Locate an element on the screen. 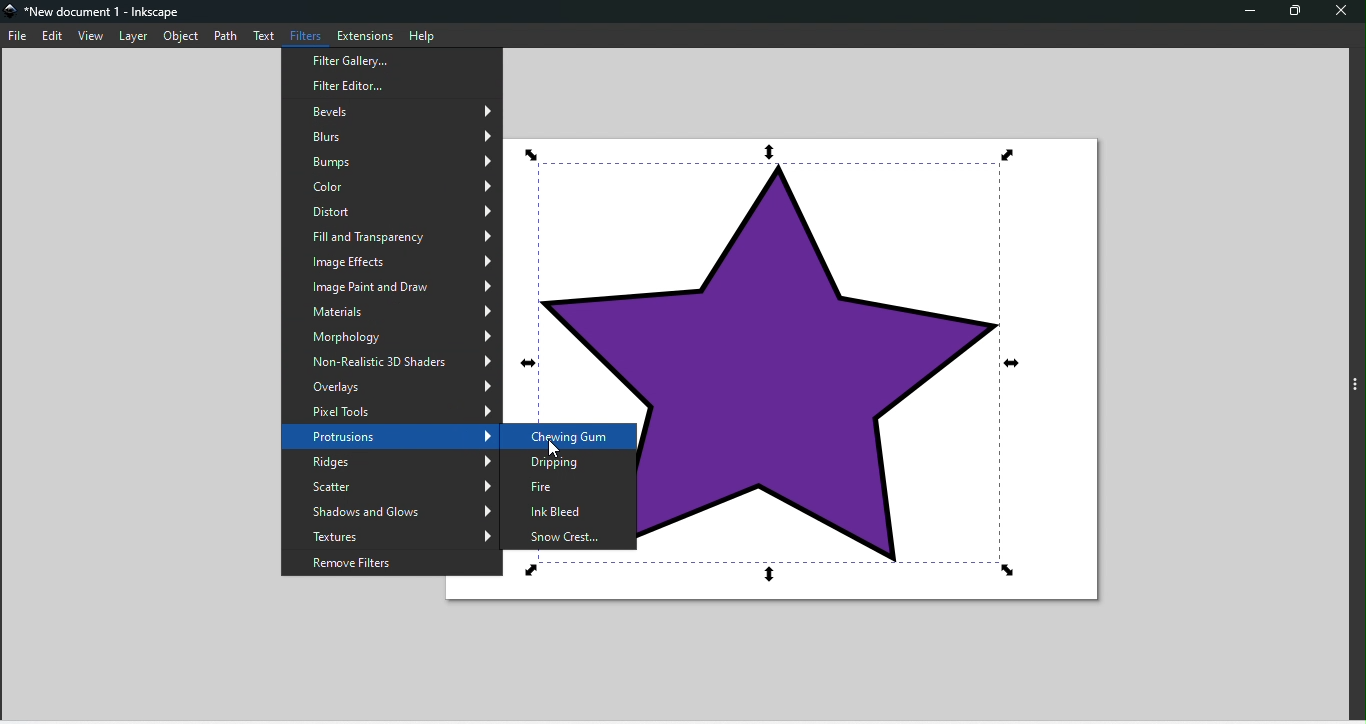  Edit is located at coordinates (56, 37).